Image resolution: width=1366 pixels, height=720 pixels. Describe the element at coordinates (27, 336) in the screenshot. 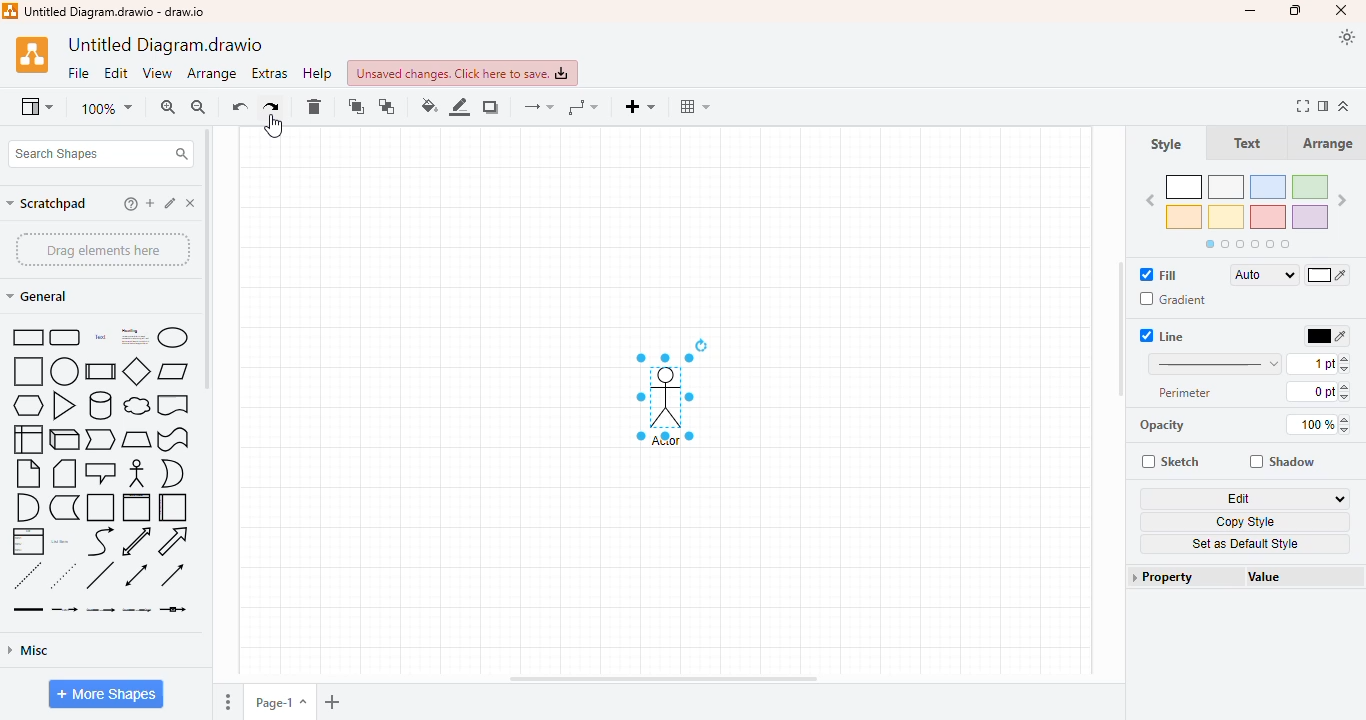

I see `rectangle` at that location.